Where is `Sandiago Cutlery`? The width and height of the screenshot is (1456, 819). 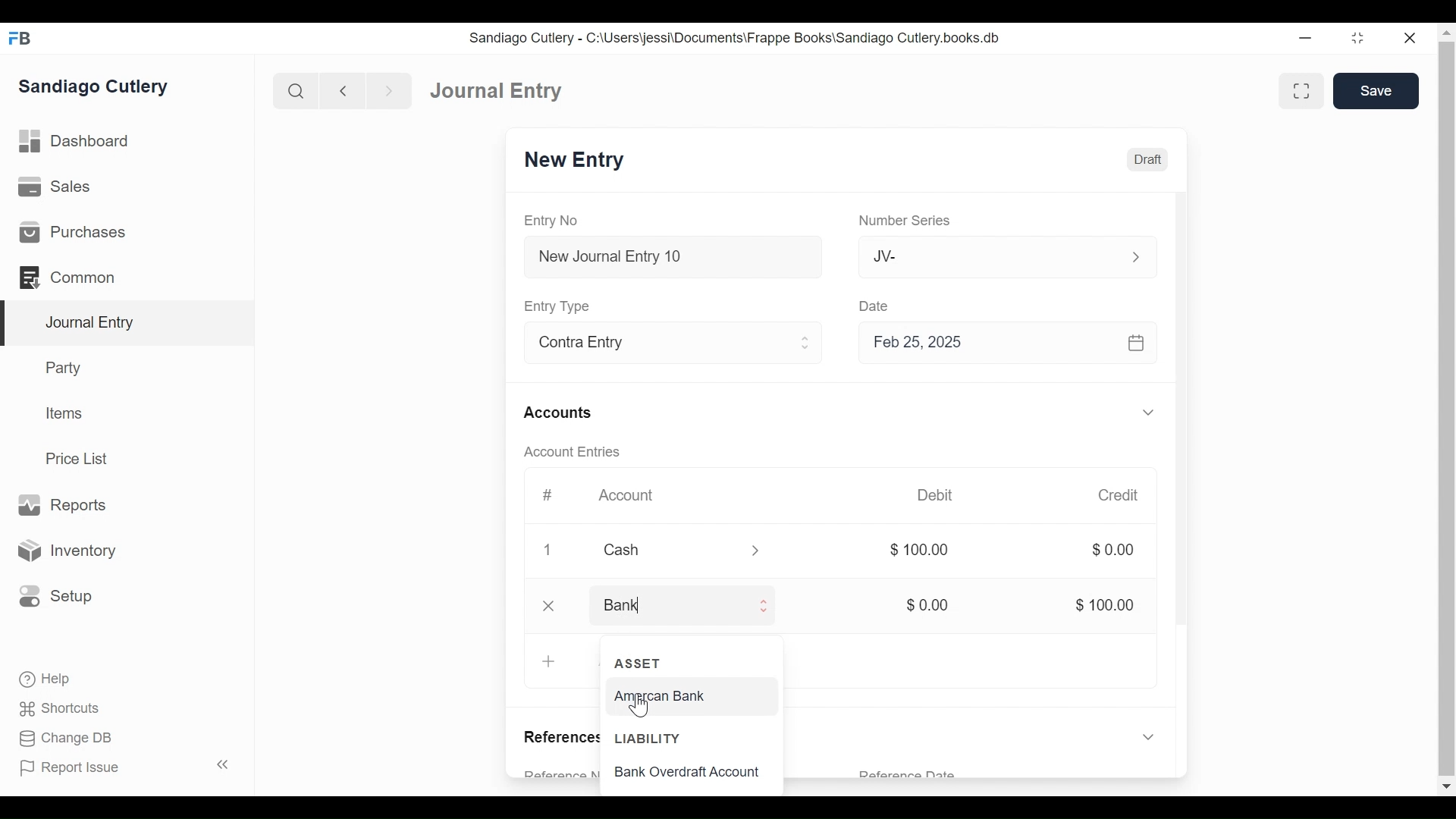 Sandiago Cutlery is located at coordinates (94, 87).